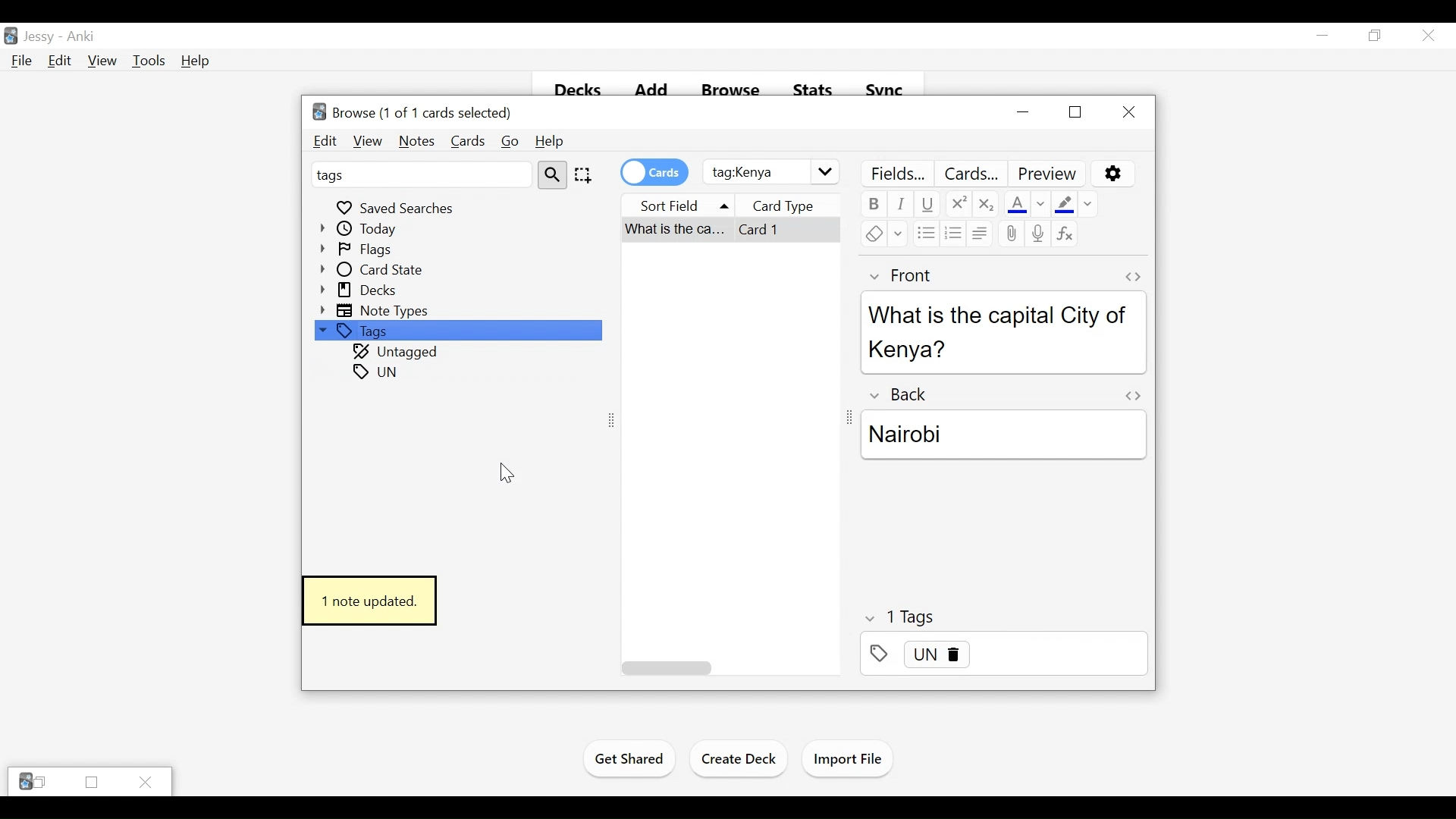 Image resolution: width=1456 pixels, height=819 pixels. I want to click on Back, so click(904, 393).